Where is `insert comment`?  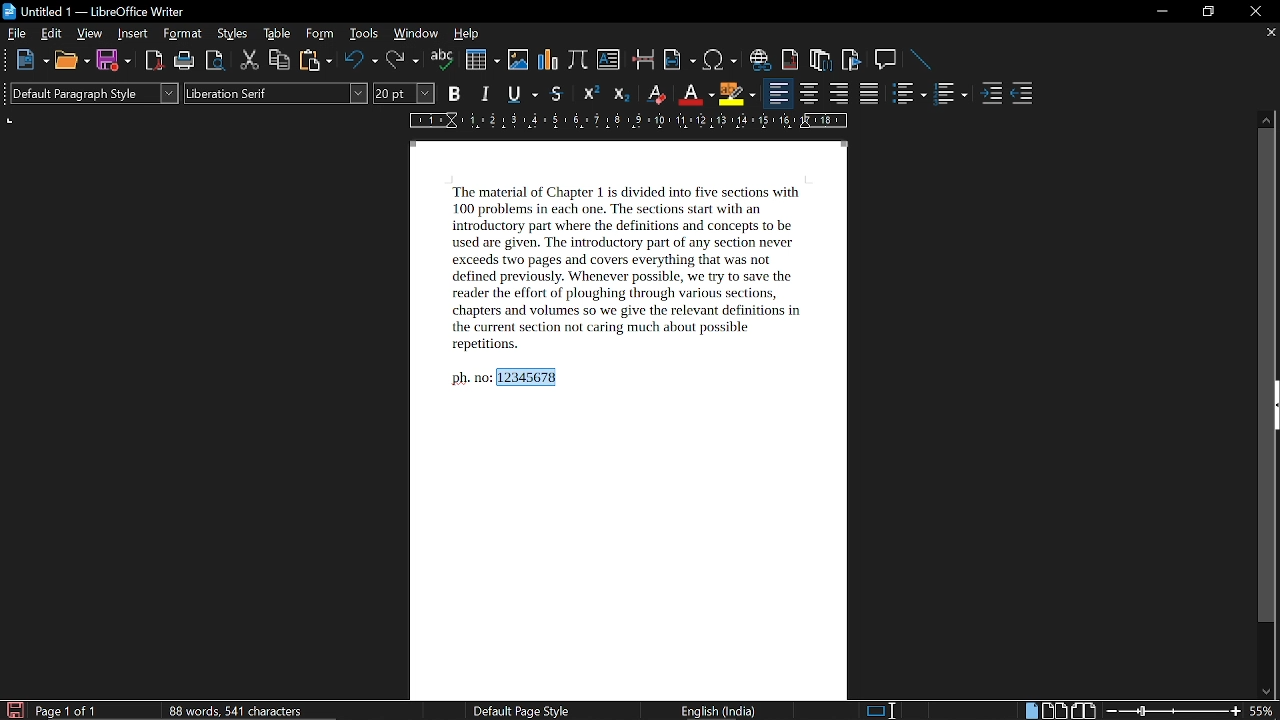
insert comment is located at coordinates (885, 59).